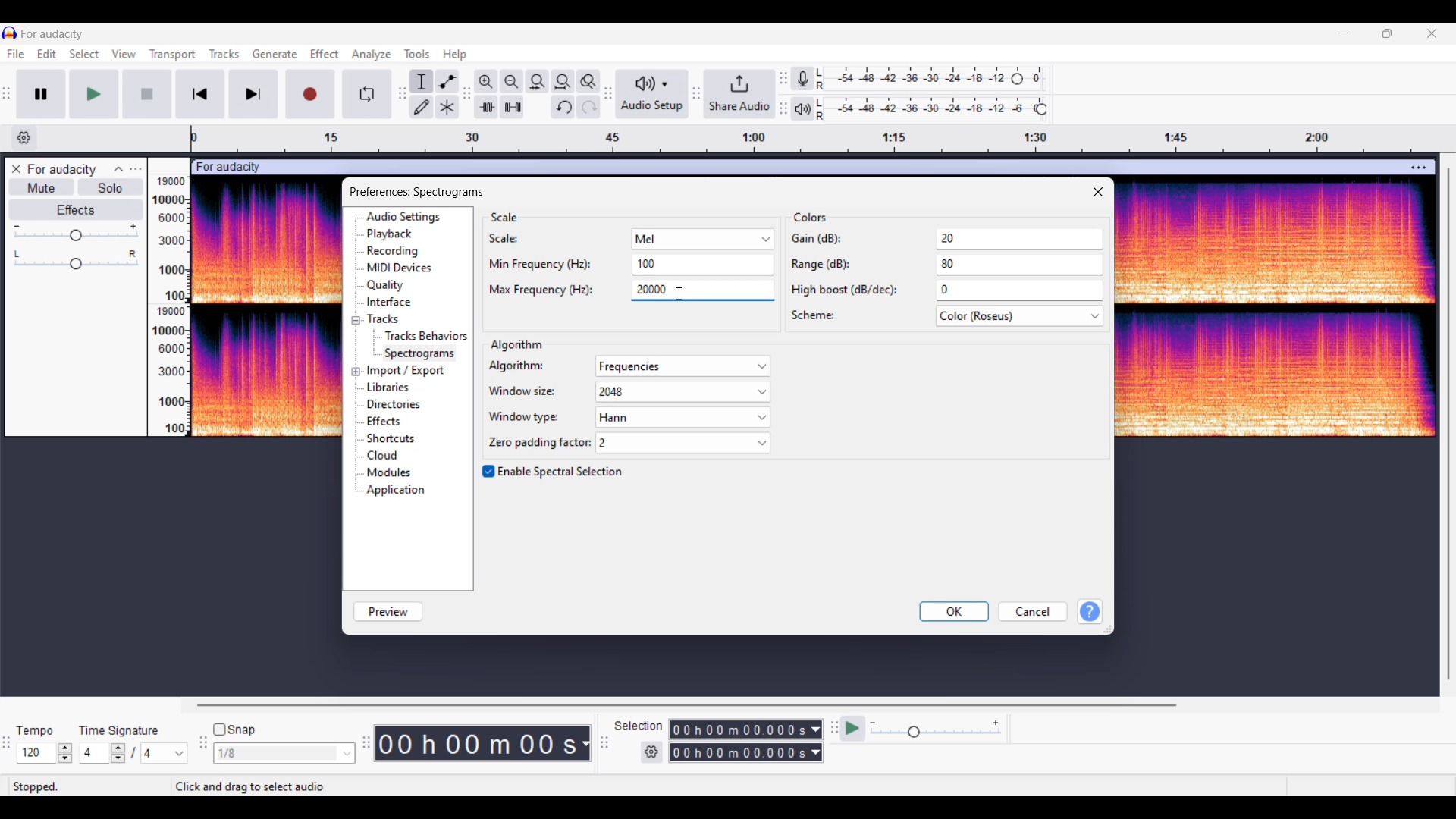 The image size is (1456, 819). I want to click on Cursor clicking on text box, so click(679, 293).